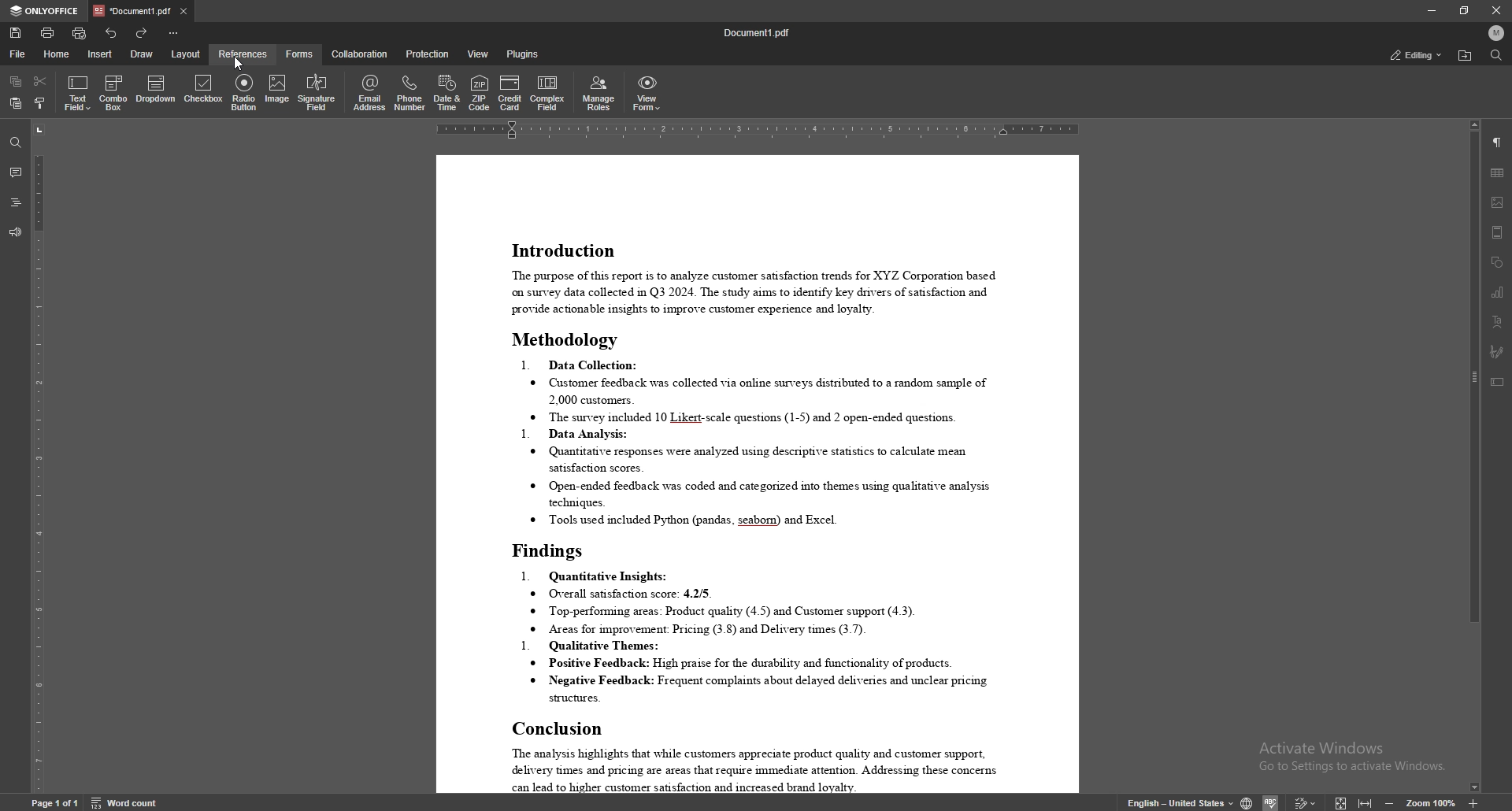 Image resolution: width=1512 pixels, height=811 pixels. I want to click on paragraph, so click(1497, 143).